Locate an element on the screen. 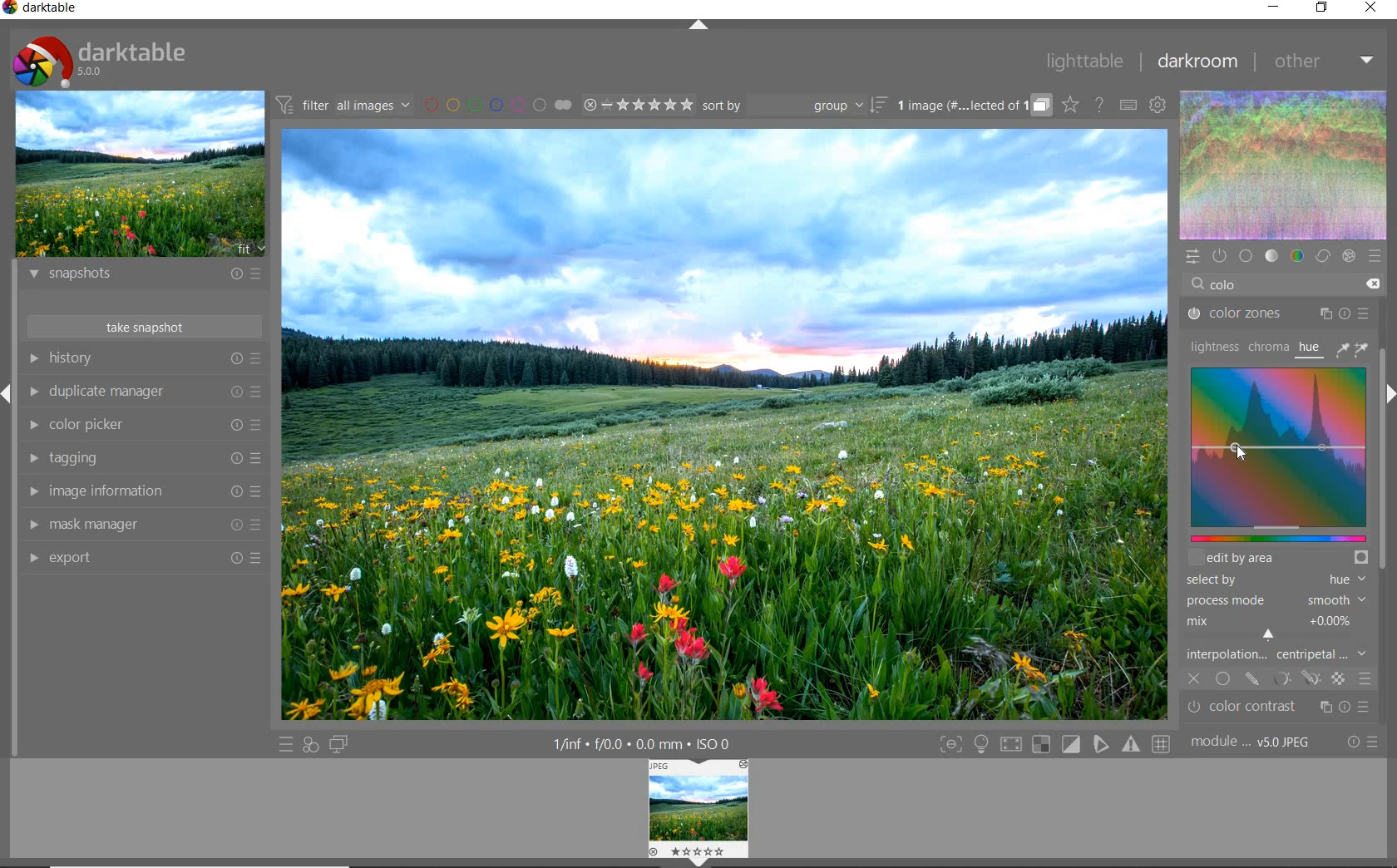  selected image is located at coordinates (728, 423).